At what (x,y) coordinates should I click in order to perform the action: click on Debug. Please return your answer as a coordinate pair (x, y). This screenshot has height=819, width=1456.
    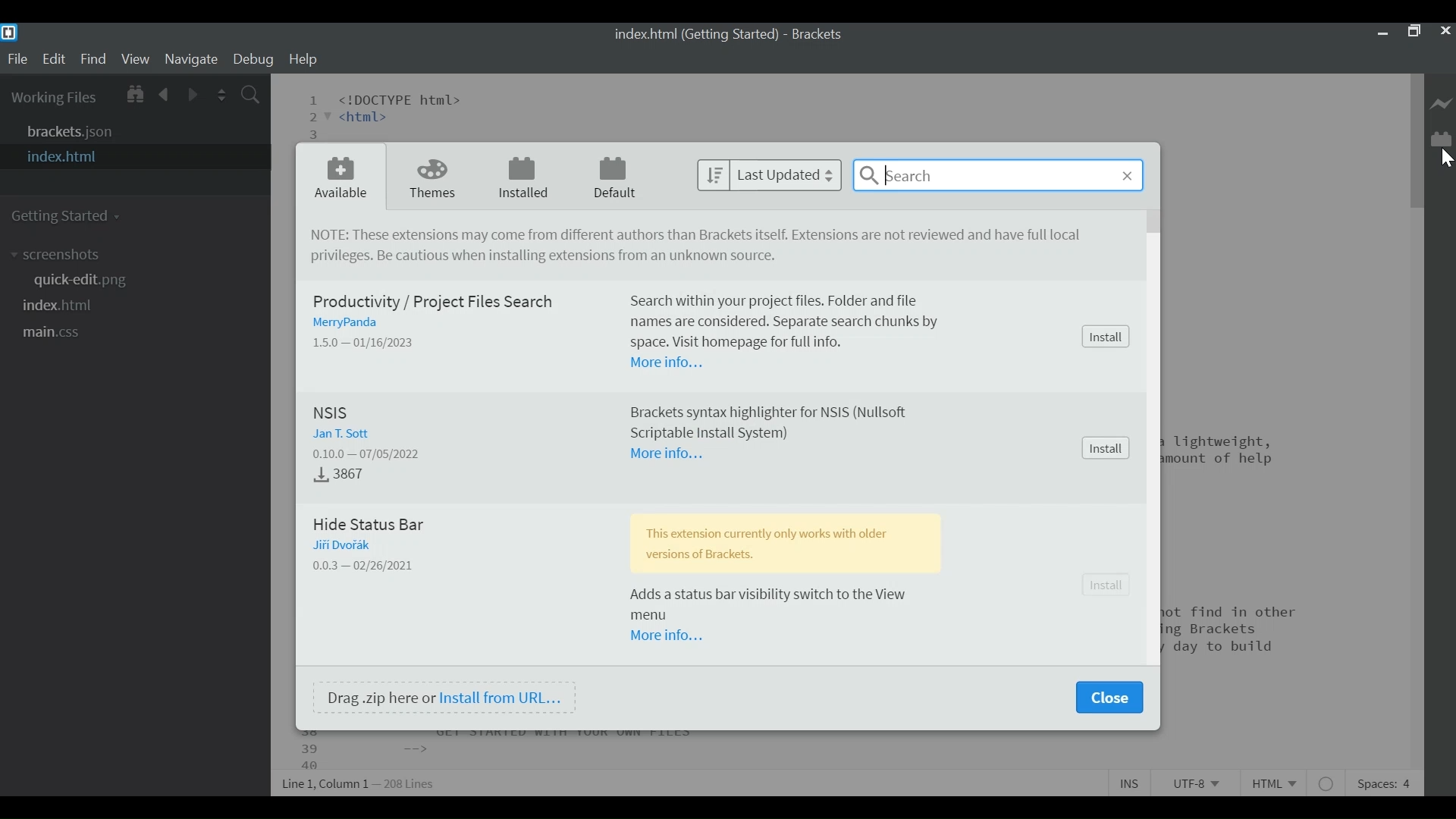
    Looking at the image, I should click on (256, 61).